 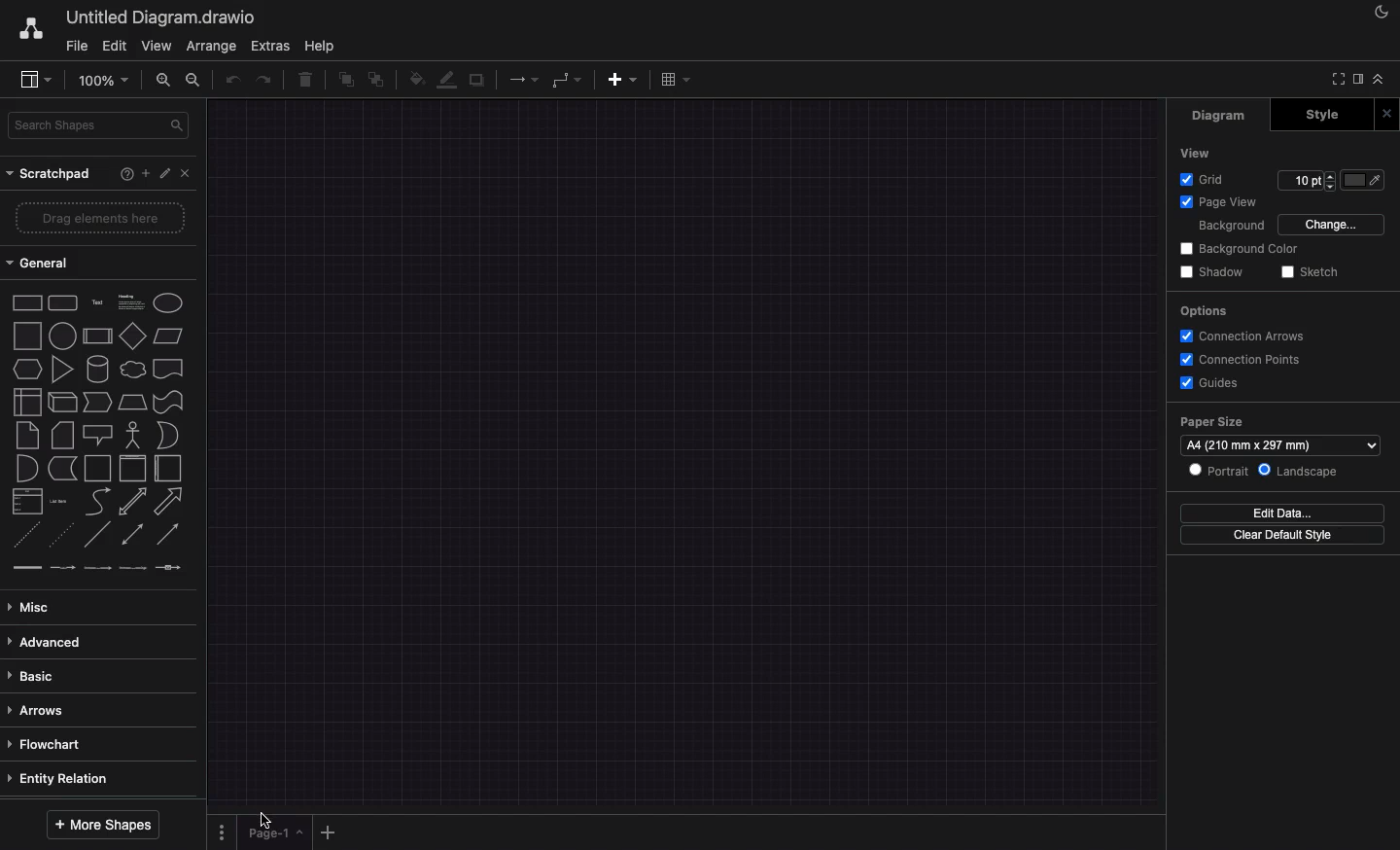 I want to click on entity relation, so click(x=61, y=778).